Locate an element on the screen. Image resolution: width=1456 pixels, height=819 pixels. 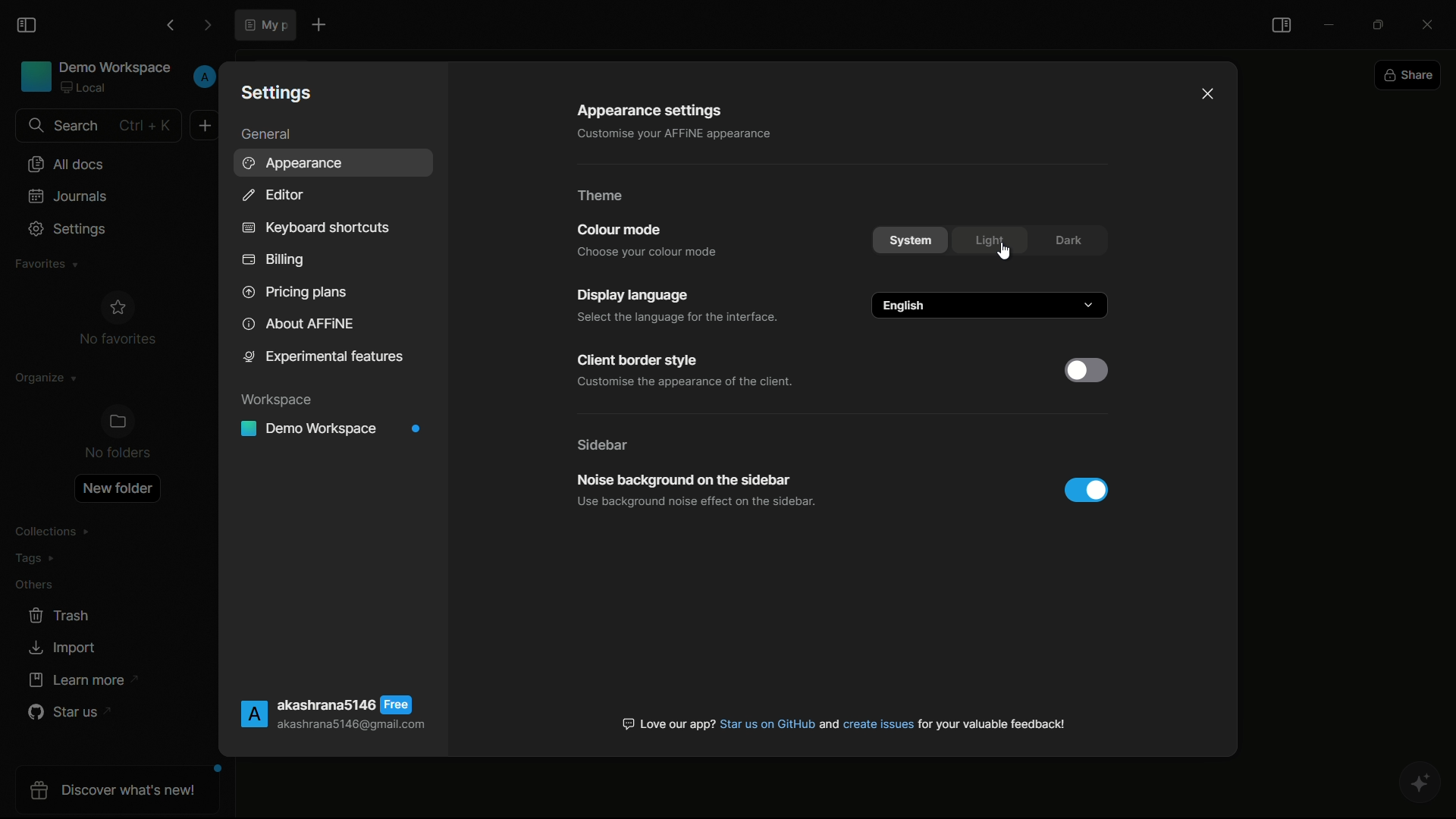
Cursor is located at coordinates (1003, 253).